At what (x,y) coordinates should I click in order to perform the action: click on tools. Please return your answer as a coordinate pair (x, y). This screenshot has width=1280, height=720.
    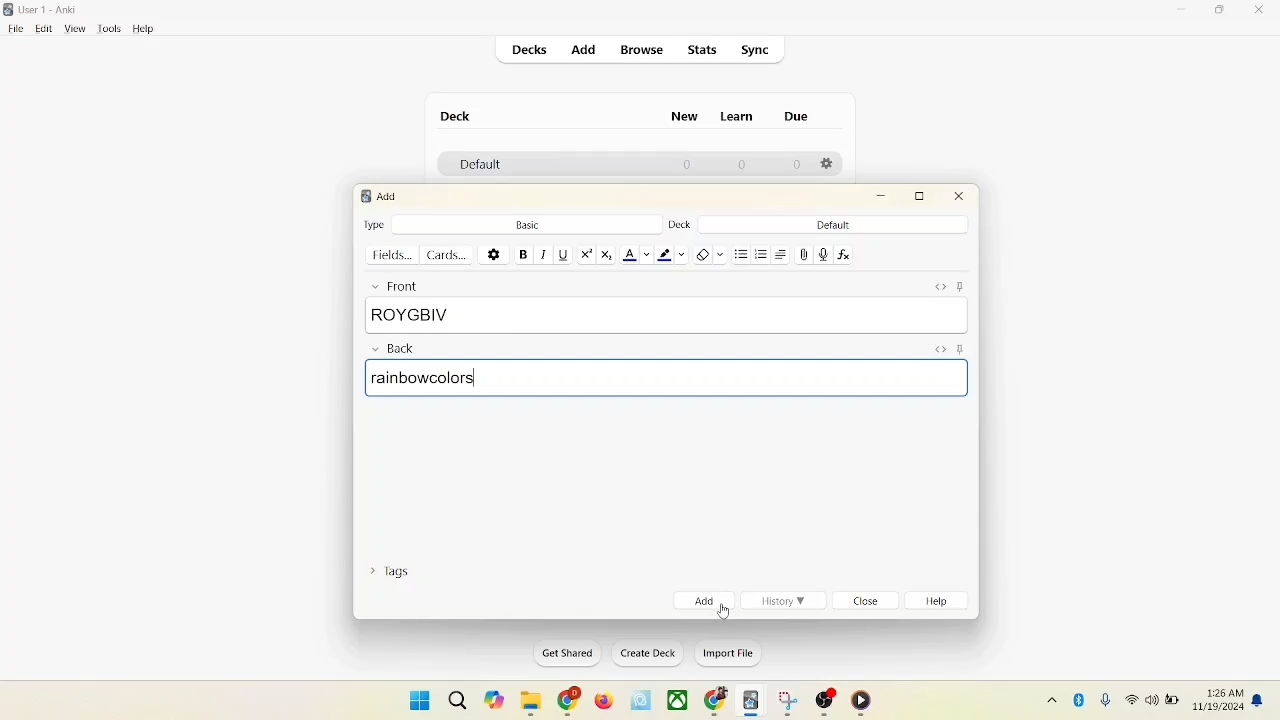
    Looking at the image, I should click on (109, 29).